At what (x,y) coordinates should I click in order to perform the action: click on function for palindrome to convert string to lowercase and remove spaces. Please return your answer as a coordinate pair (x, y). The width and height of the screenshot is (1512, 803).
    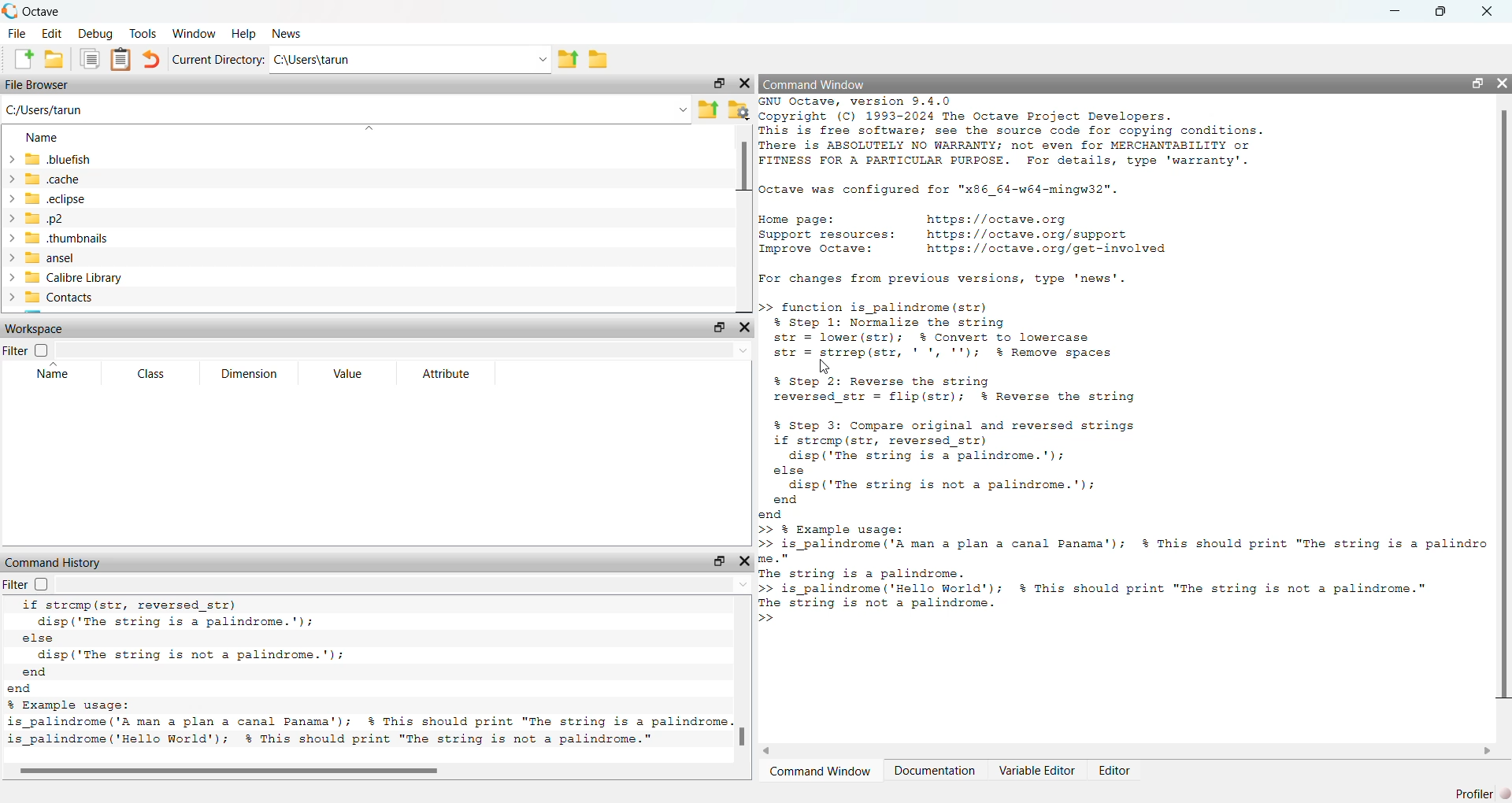
    Looking at the image, I should click on (962, 330).